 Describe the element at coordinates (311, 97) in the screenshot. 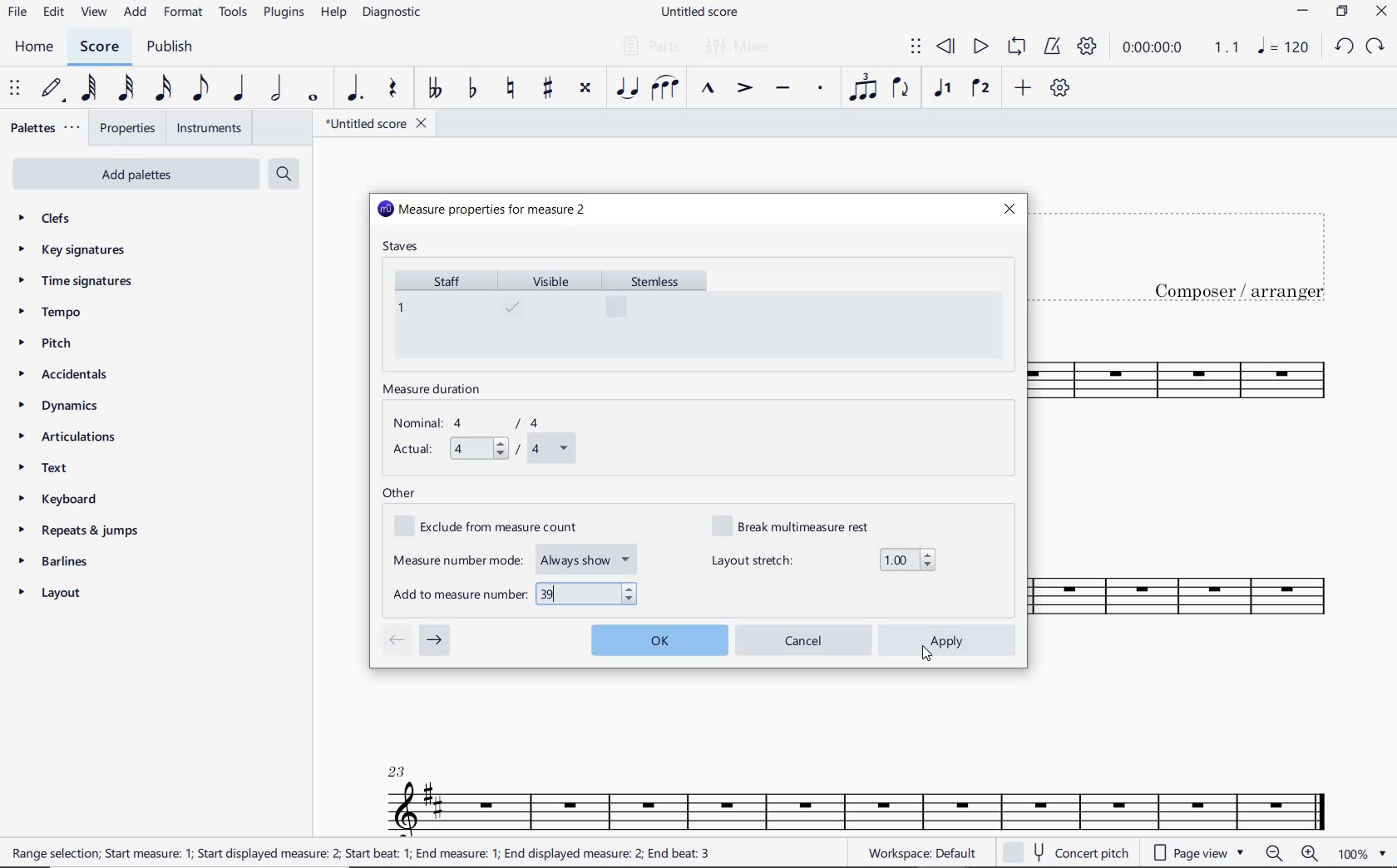

I see `WHOLE NOTE` at that location.